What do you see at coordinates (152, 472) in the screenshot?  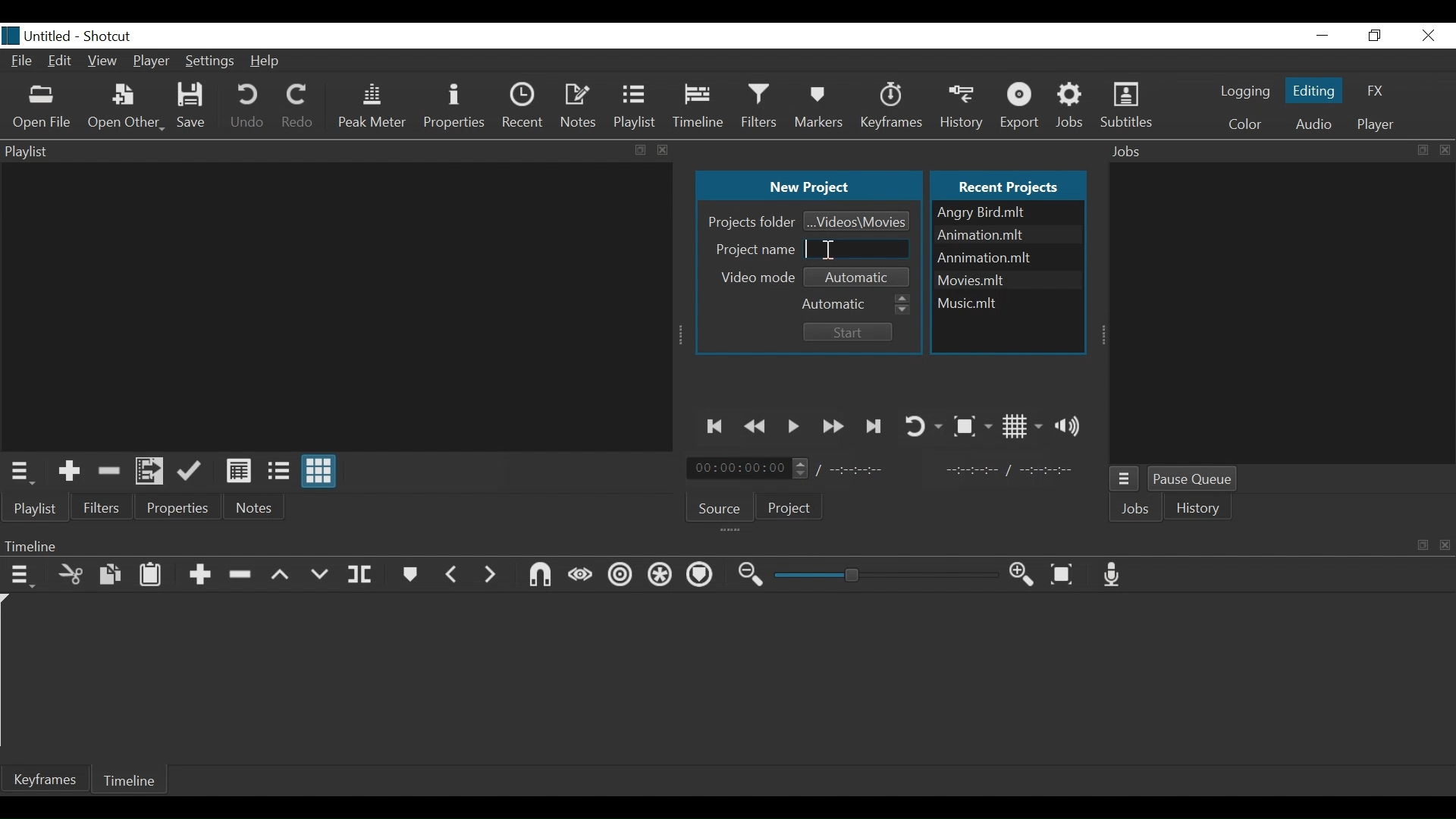 I see `Add files to the playlist` at bounding box center [152, 472].